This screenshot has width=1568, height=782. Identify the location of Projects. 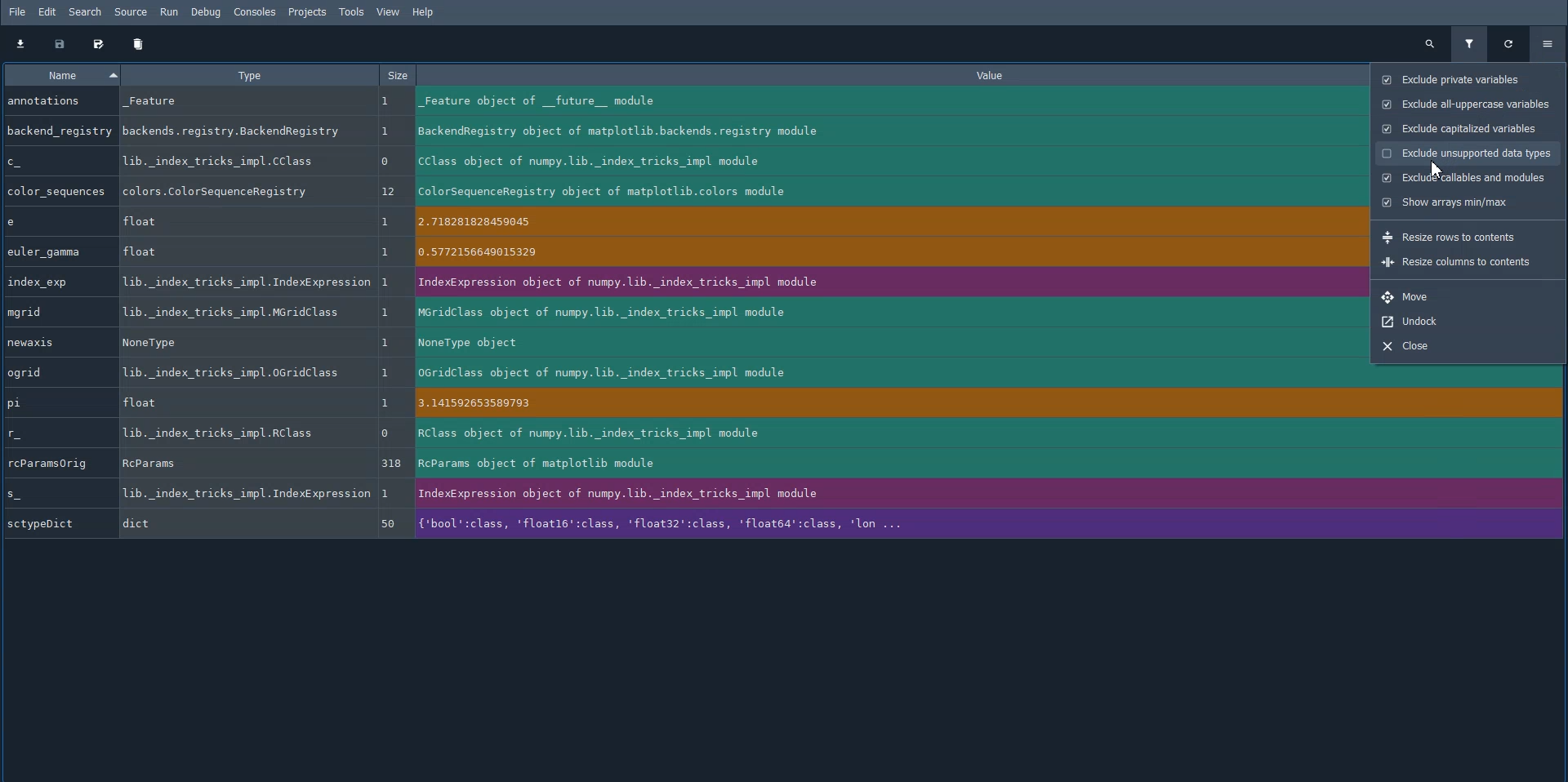
(307, 12).